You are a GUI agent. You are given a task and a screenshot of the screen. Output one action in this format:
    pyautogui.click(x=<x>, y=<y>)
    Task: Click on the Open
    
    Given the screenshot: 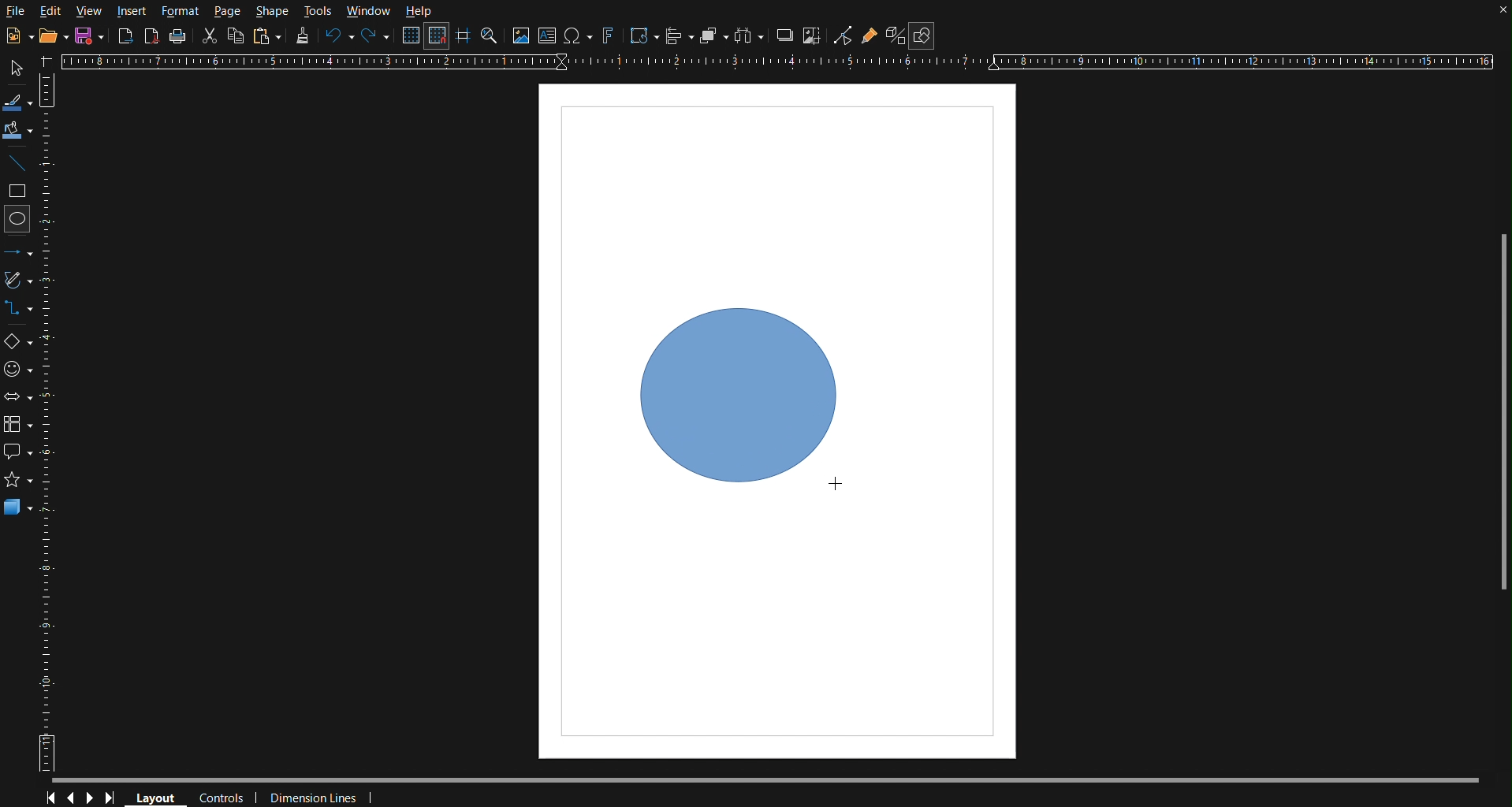 What is the action you would take?
    pyautogui.click(x=49, y=35)
    